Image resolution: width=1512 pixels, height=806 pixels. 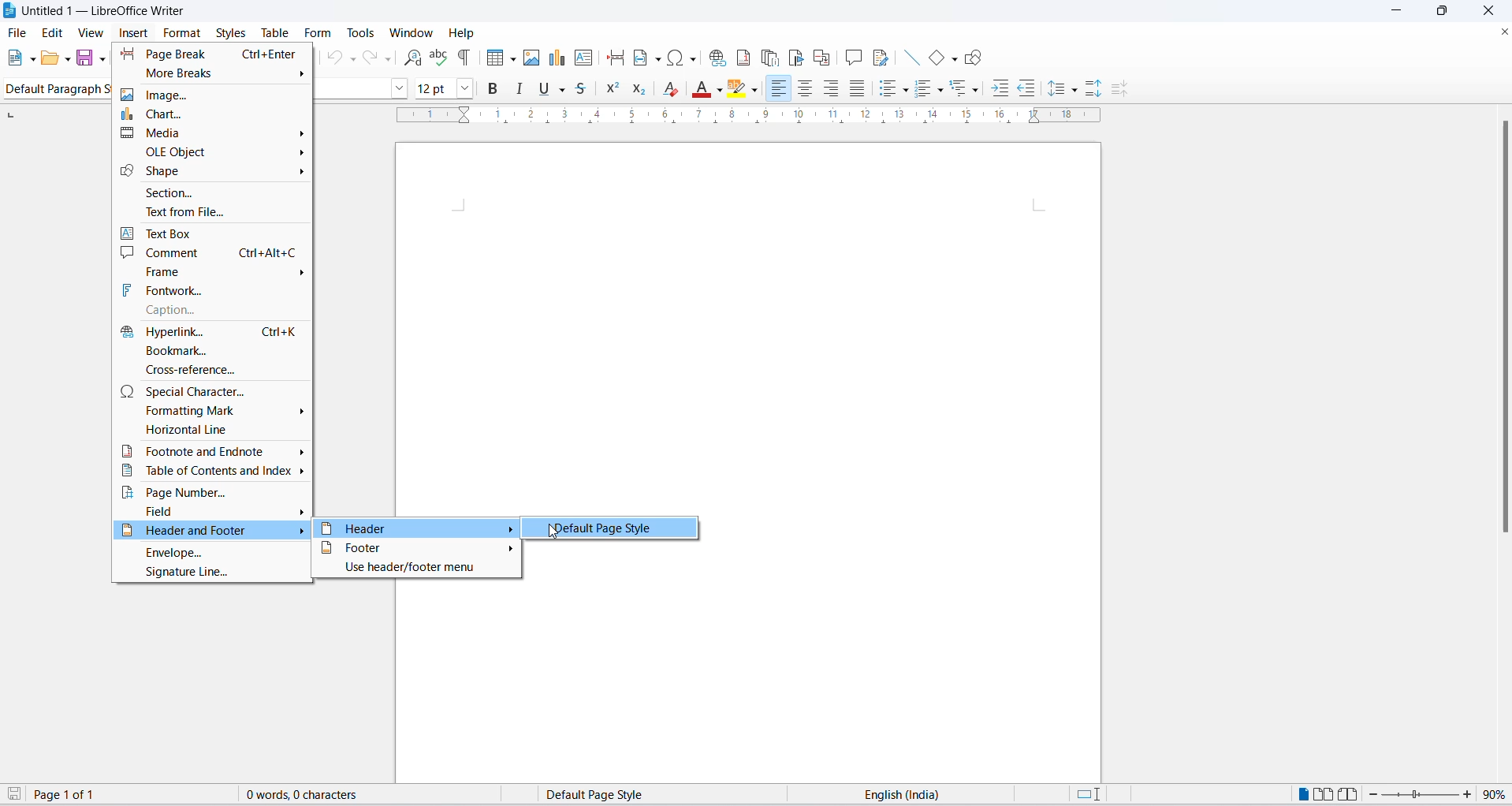 I want to click on tools, so click(x=362, y=31).